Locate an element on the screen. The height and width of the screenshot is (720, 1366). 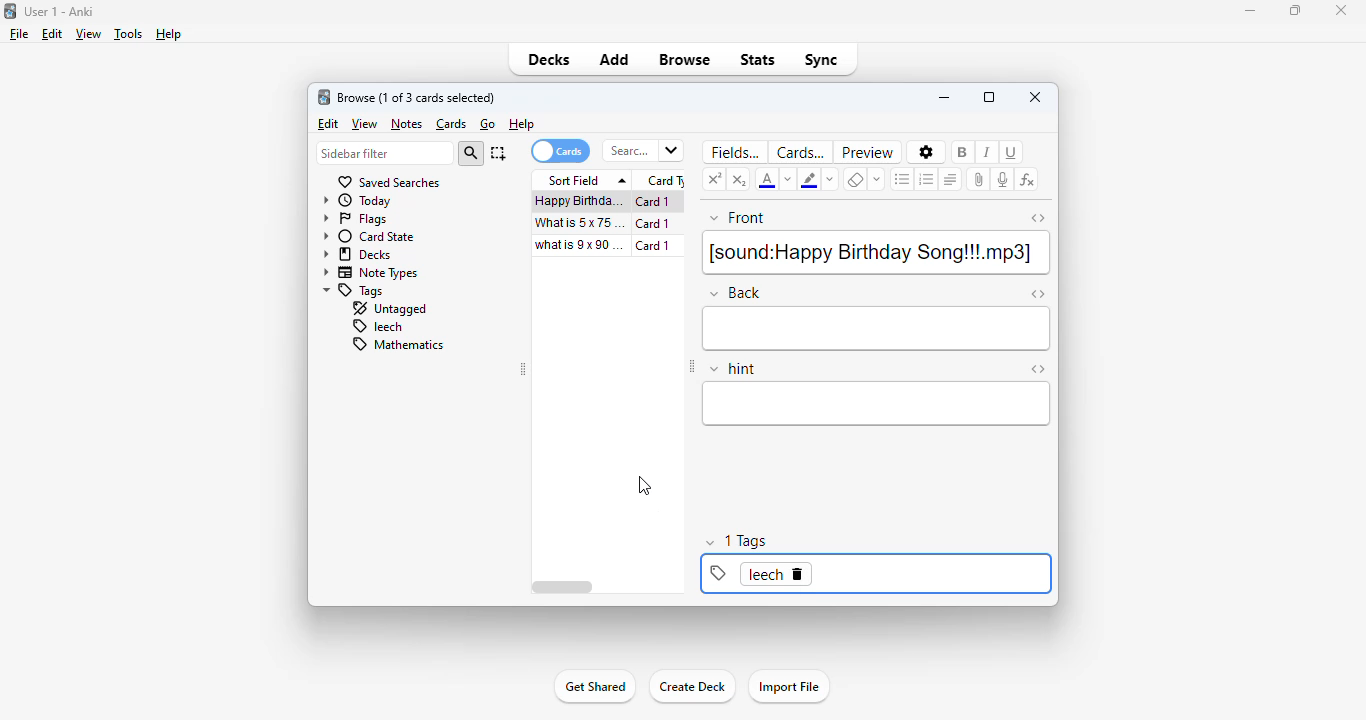
stats is located at coordinates (759, 60).